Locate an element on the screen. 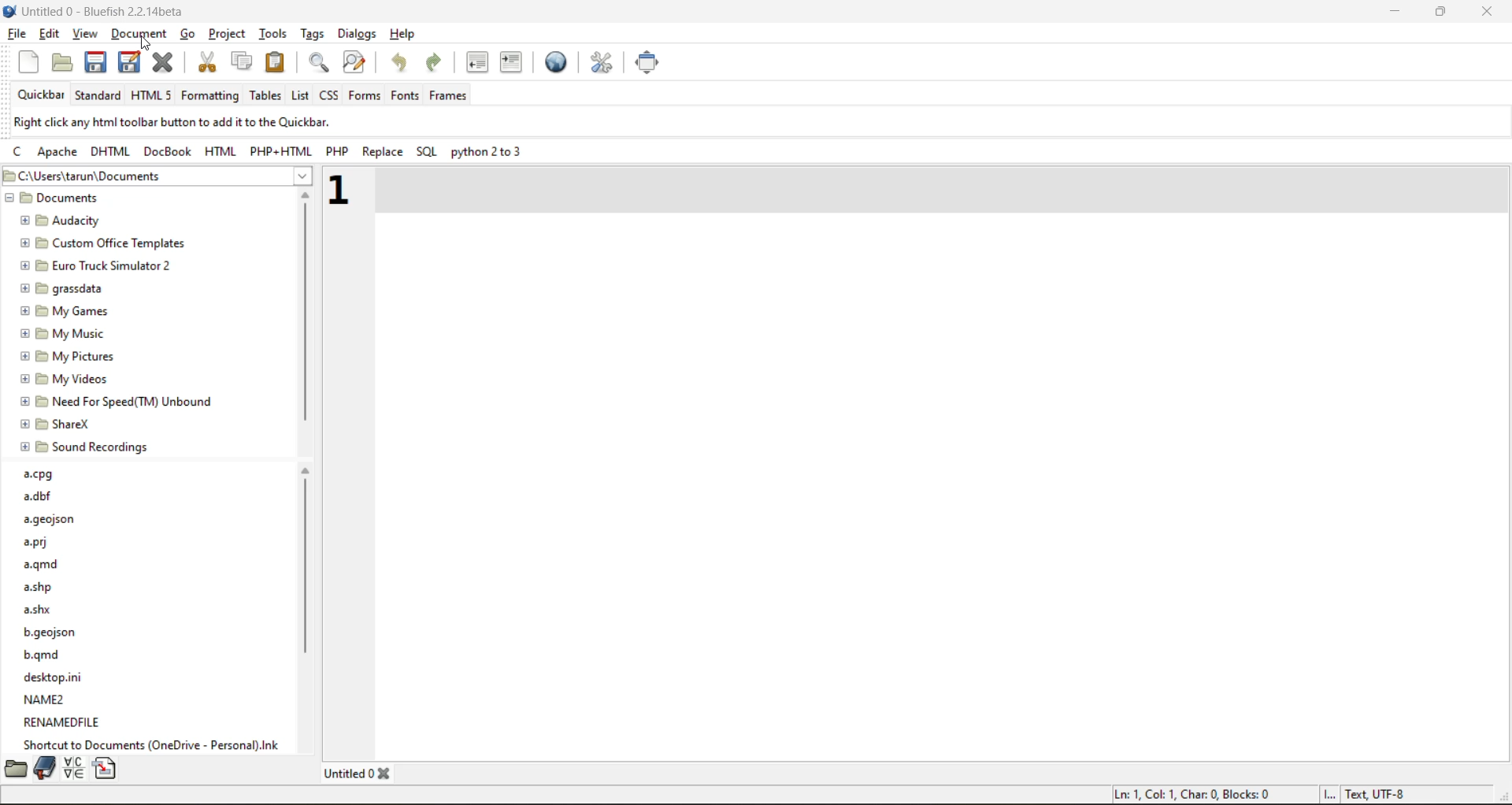  need for speed (TM) unbound is located at coordinates (118, 402).